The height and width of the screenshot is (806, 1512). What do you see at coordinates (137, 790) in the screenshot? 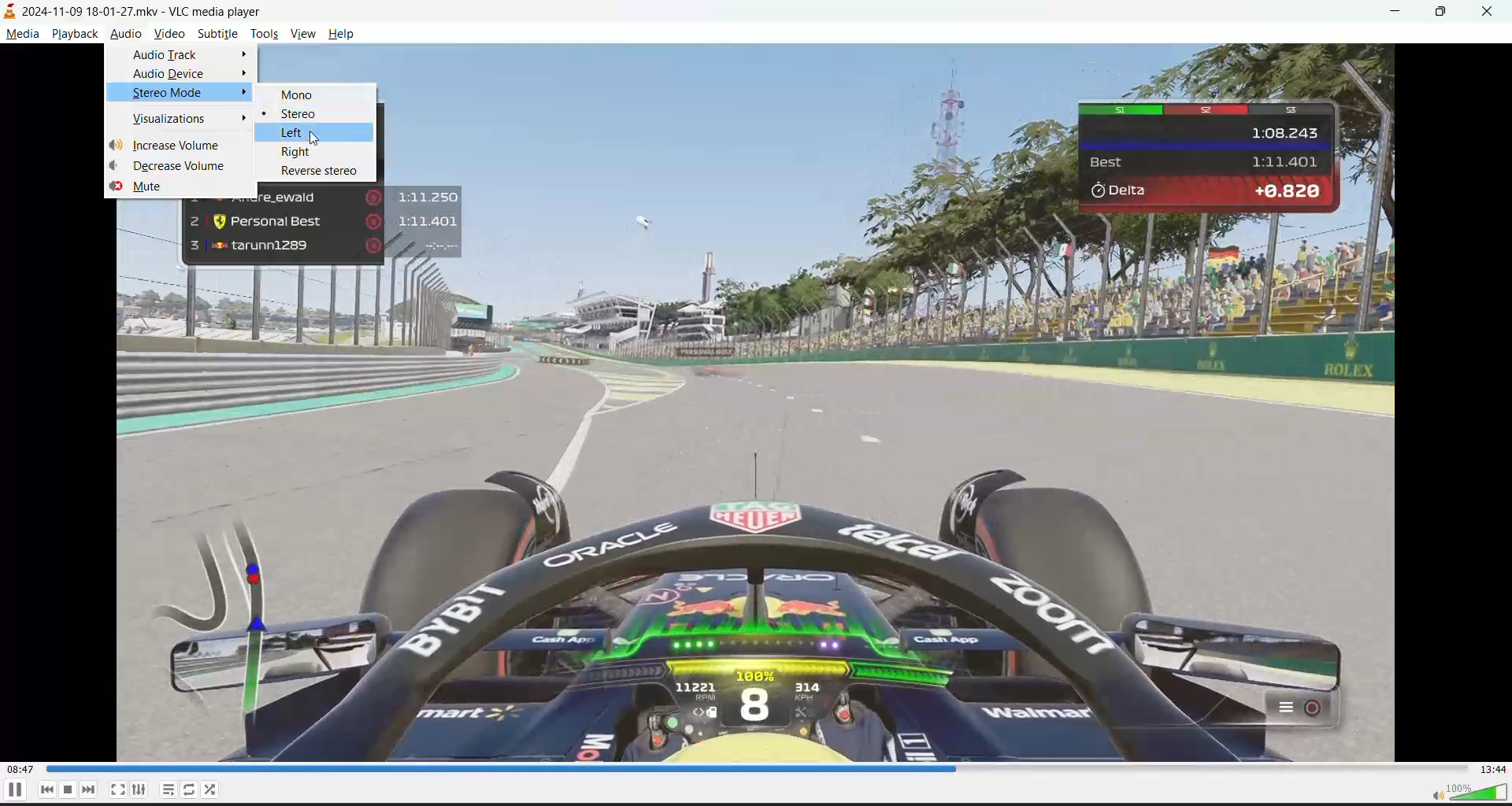
I see `settings` at bounding box center [137, 790].